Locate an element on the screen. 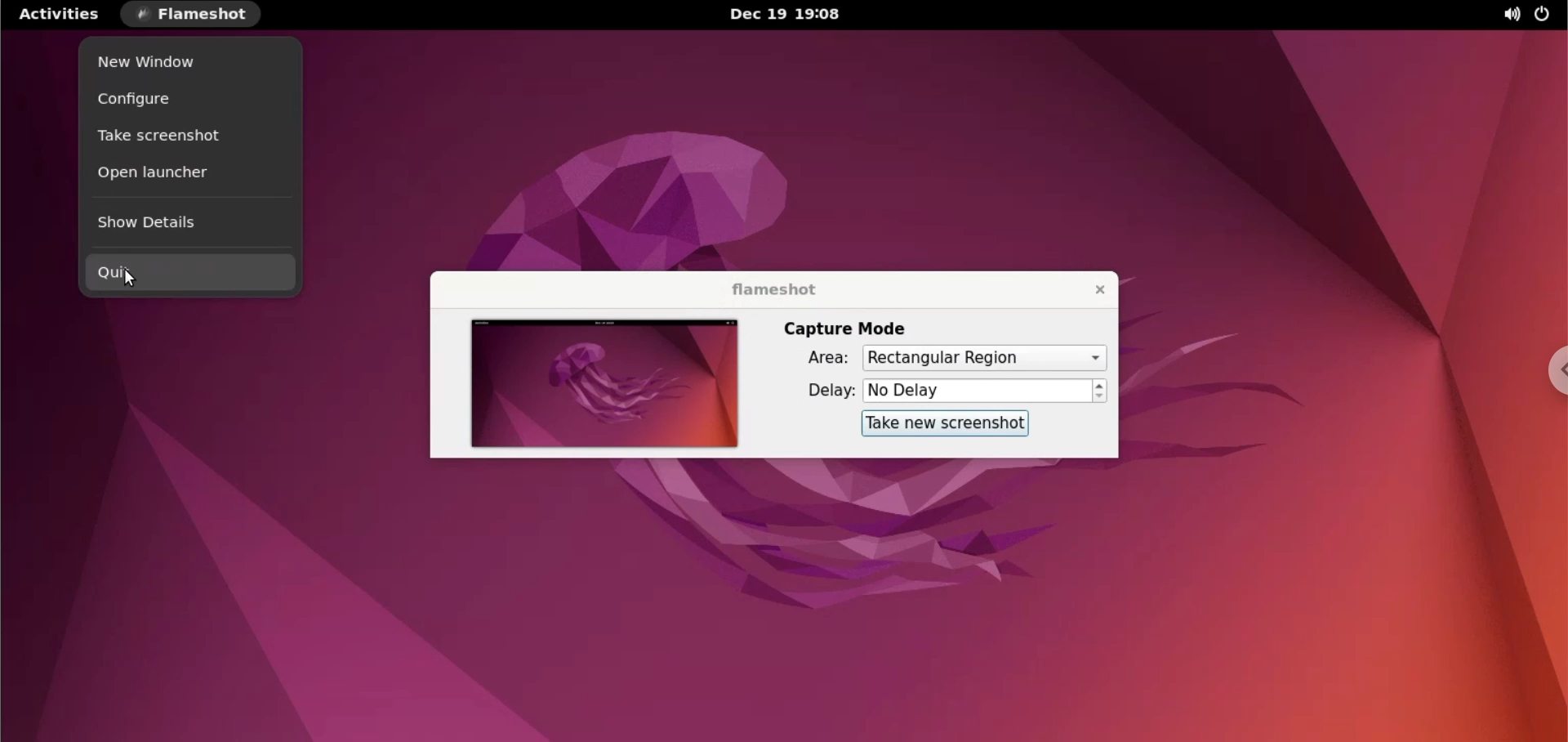 Image resolution: width=1568 pixels, height=742 pixels. show details is located at coordinates (194, 221).